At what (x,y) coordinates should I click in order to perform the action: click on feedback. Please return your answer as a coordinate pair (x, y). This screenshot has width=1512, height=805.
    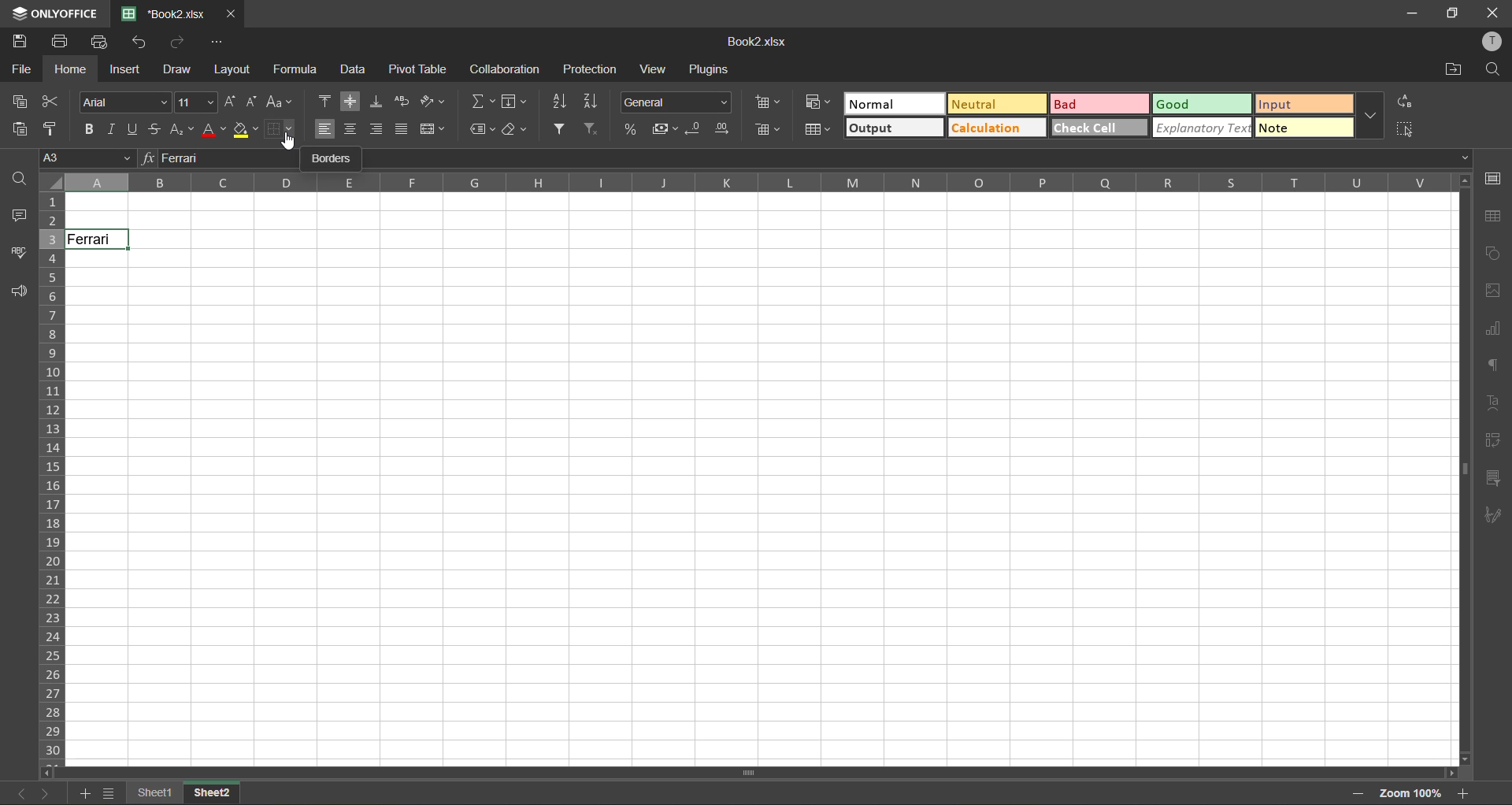
    Looking at the image, I should click on (20, 291).